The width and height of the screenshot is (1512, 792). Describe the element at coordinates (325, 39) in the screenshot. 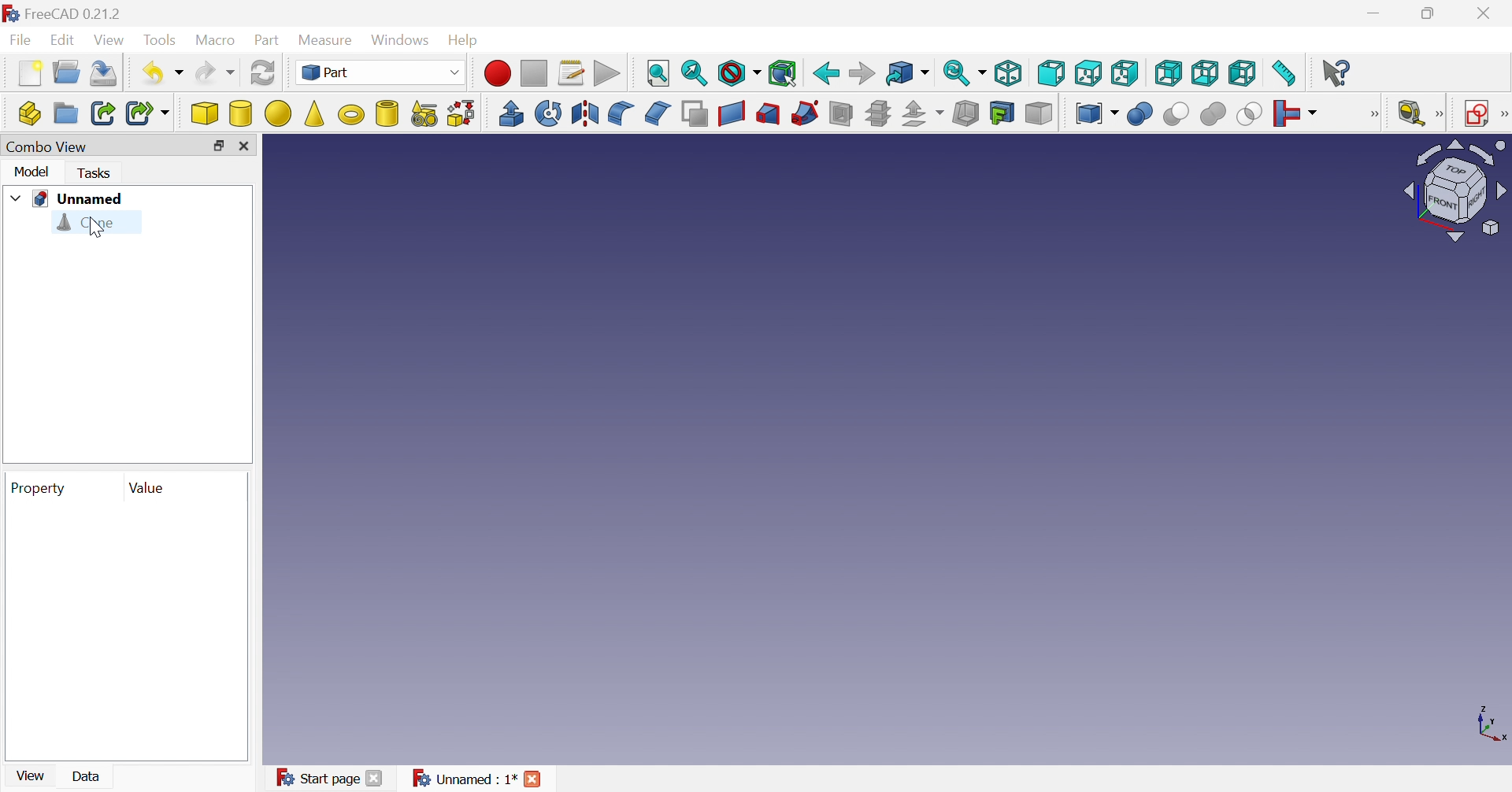

I see `Measure` at that location.